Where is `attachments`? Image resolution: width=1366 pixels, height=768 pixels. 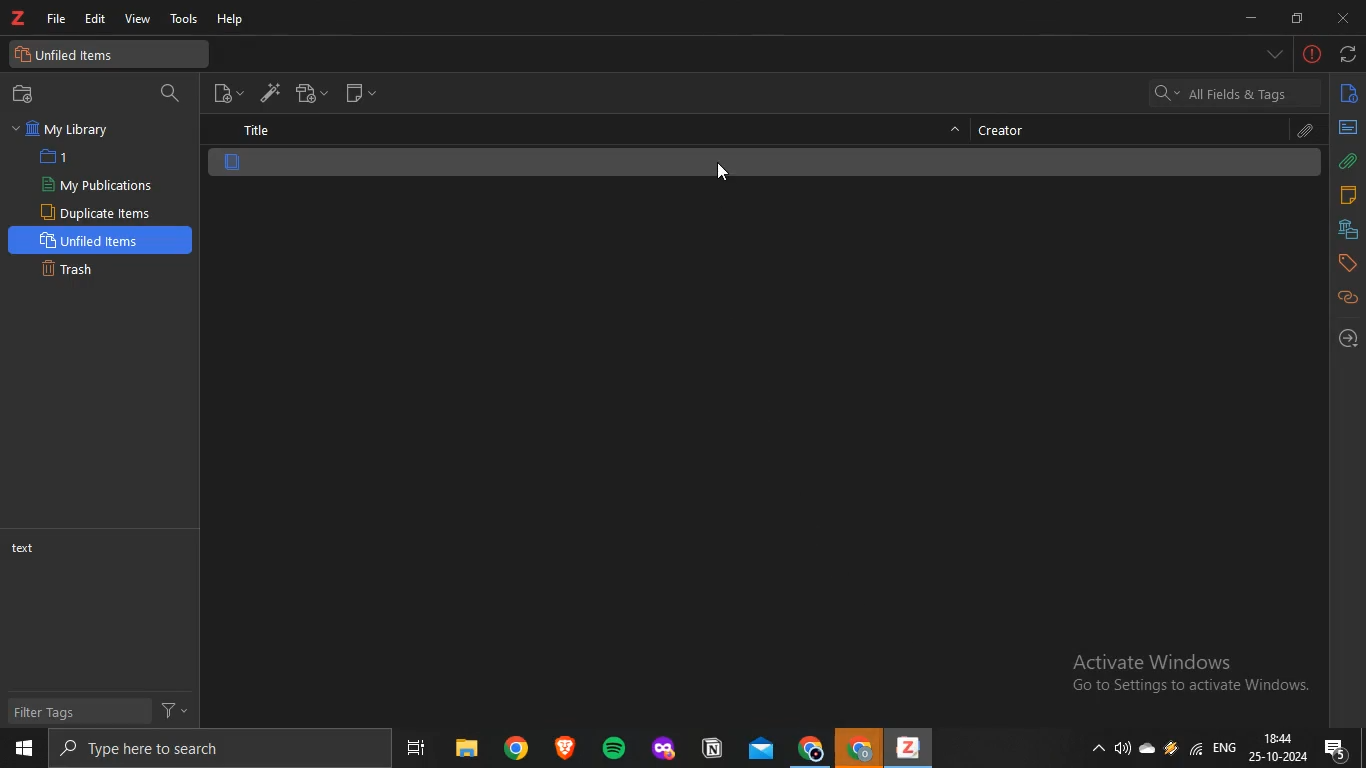
attachments is located at coordinates (1305, 129).